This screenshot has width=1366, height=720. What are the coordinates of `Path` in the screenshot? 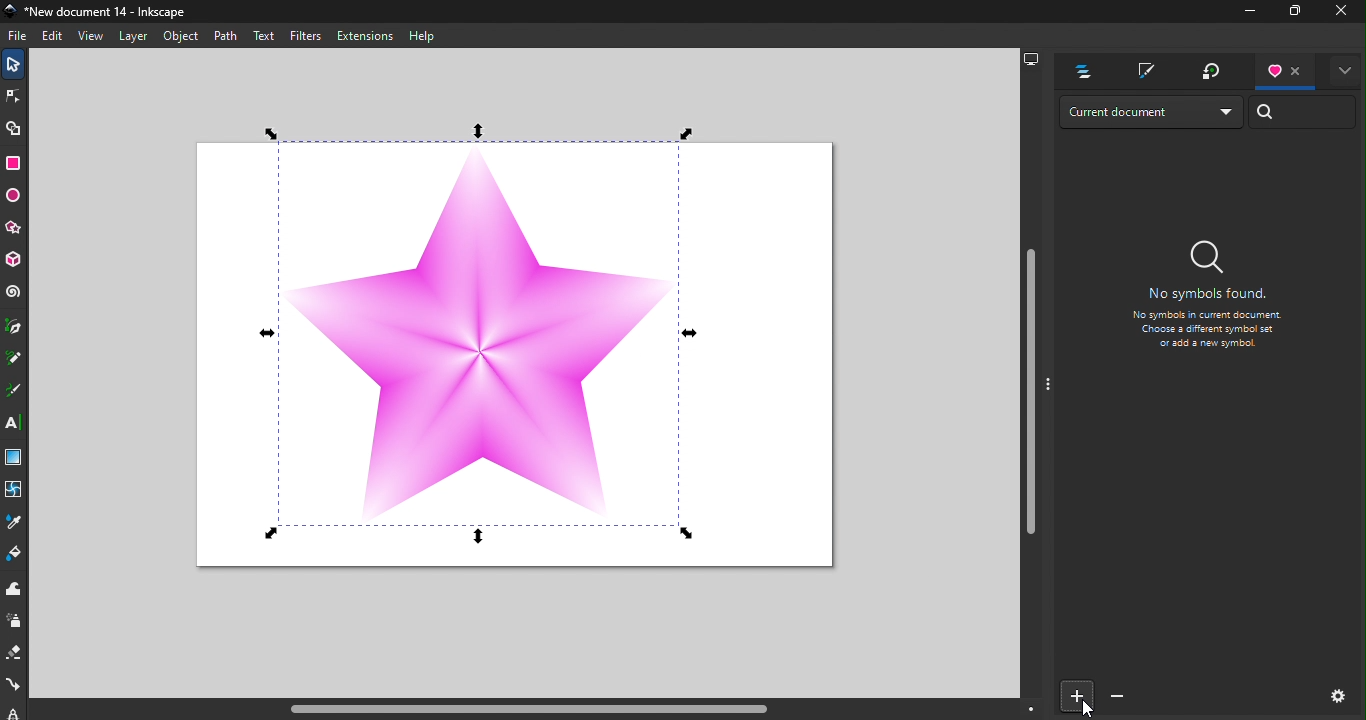 It's located at (224, 34).